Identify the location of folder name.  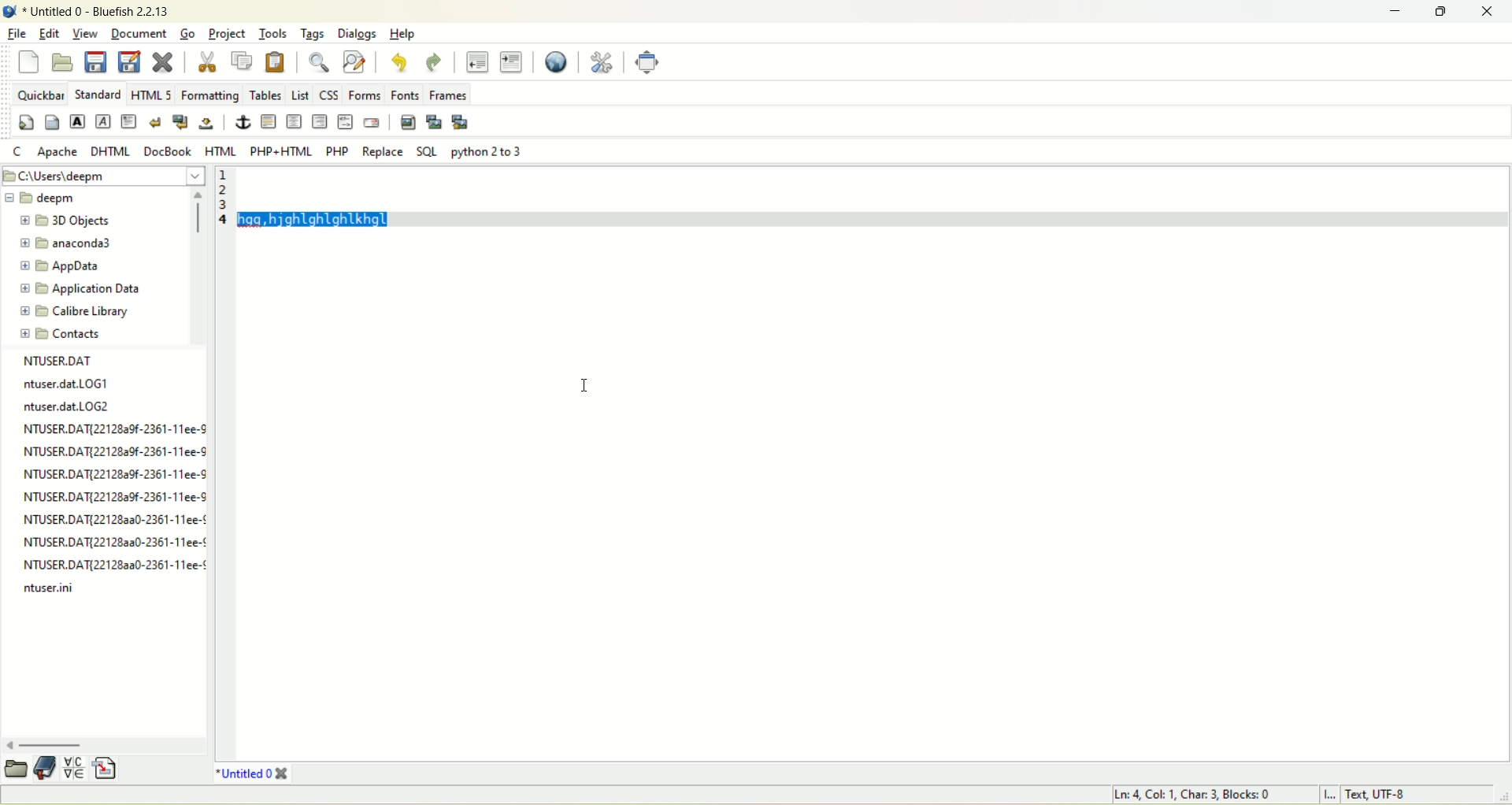
(65, 221).